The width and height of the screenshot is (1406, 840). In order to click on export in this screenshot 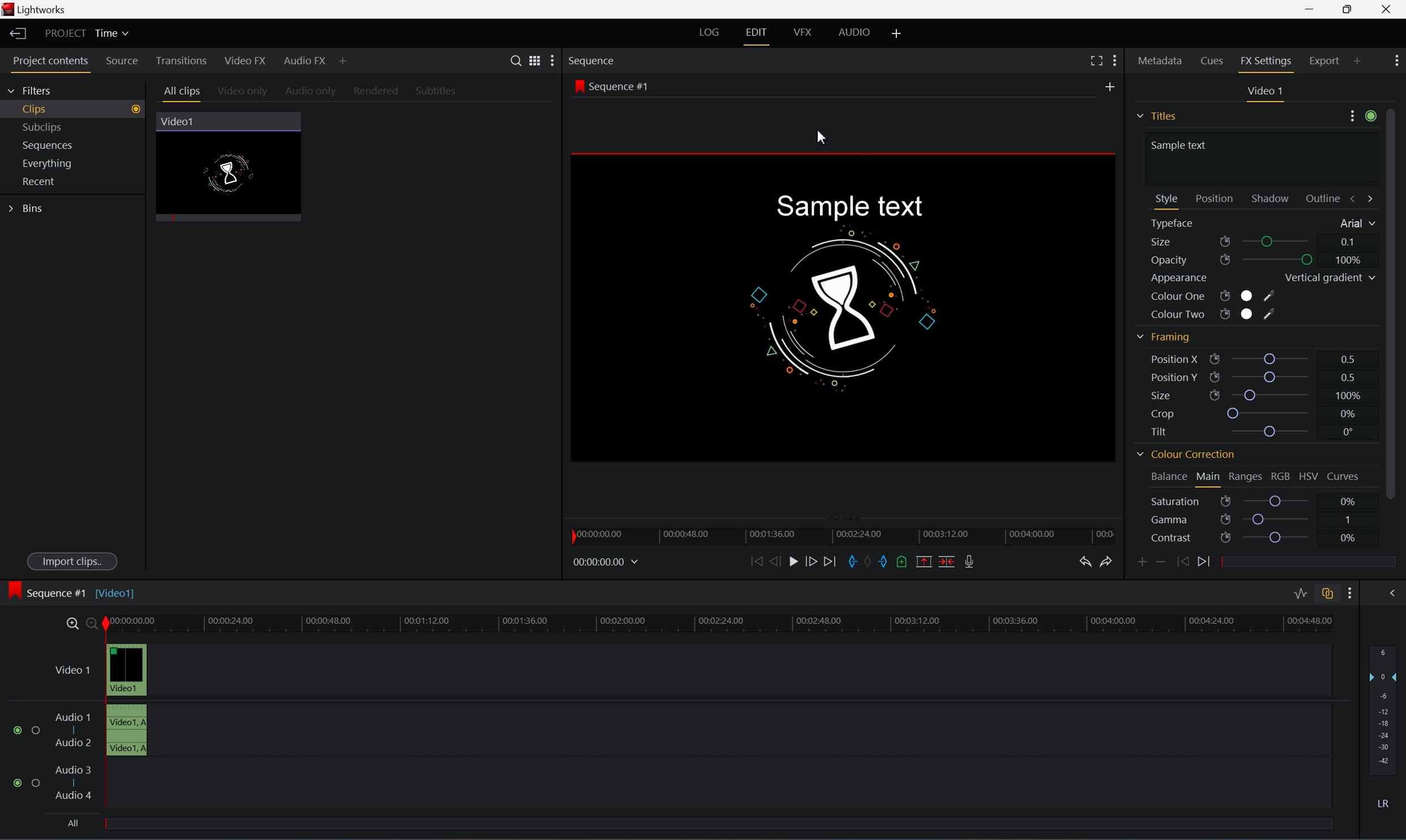, I will do `click(1334, 60)`.